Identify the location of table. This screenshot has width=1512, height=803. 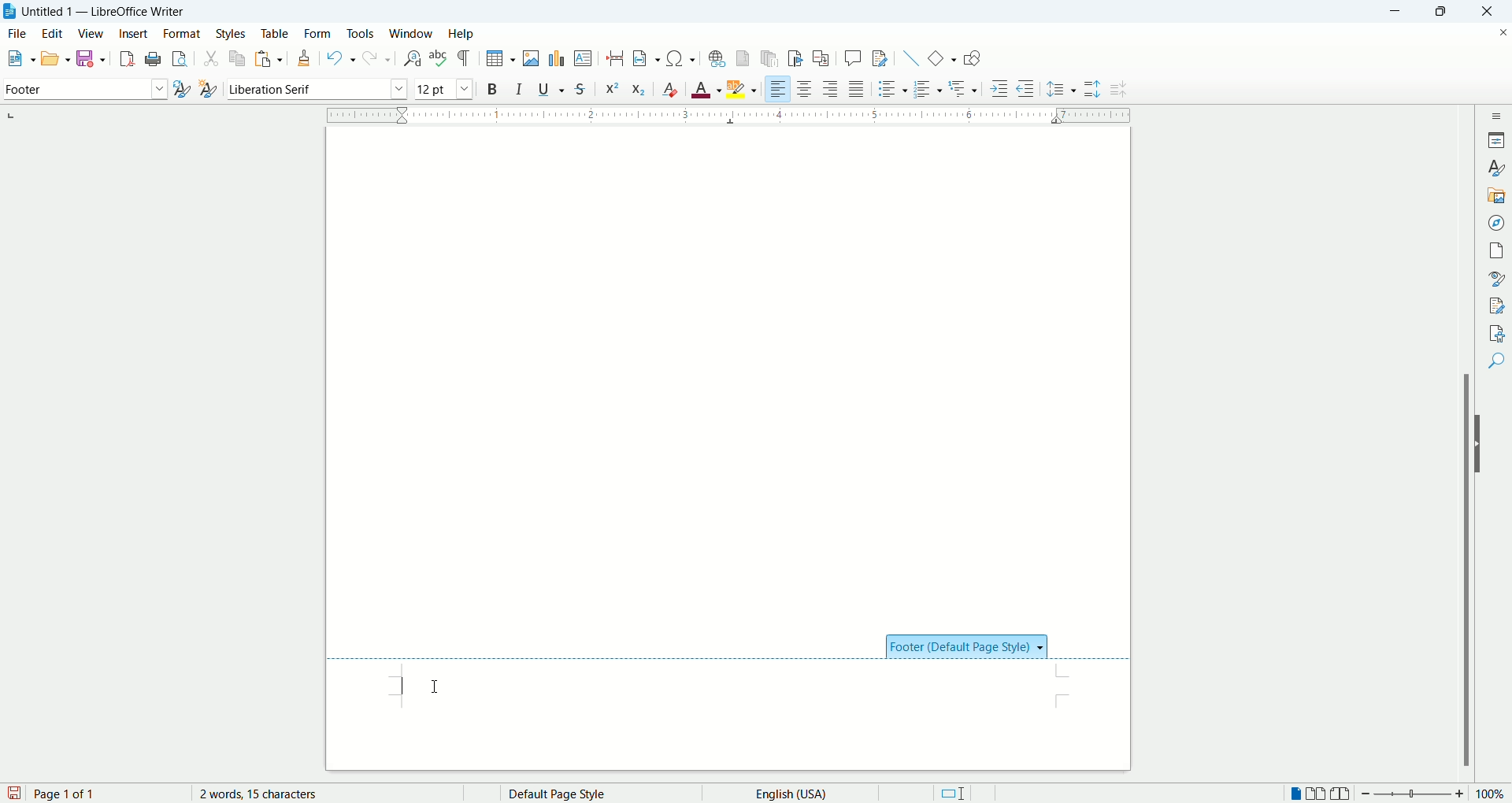
(275, 31).